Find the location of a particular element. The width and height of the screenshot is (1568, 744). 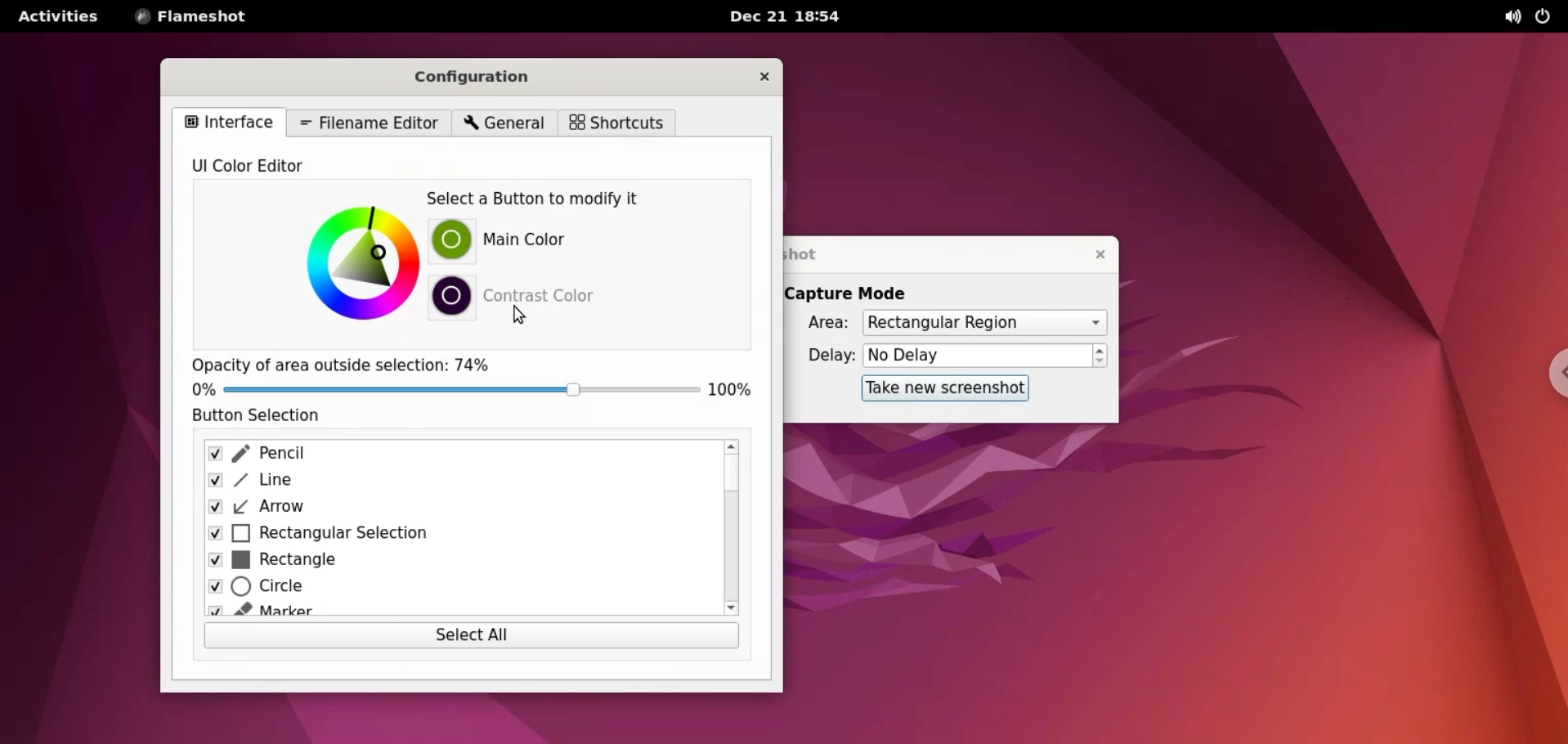

select all is located at coordinates (473, 639).